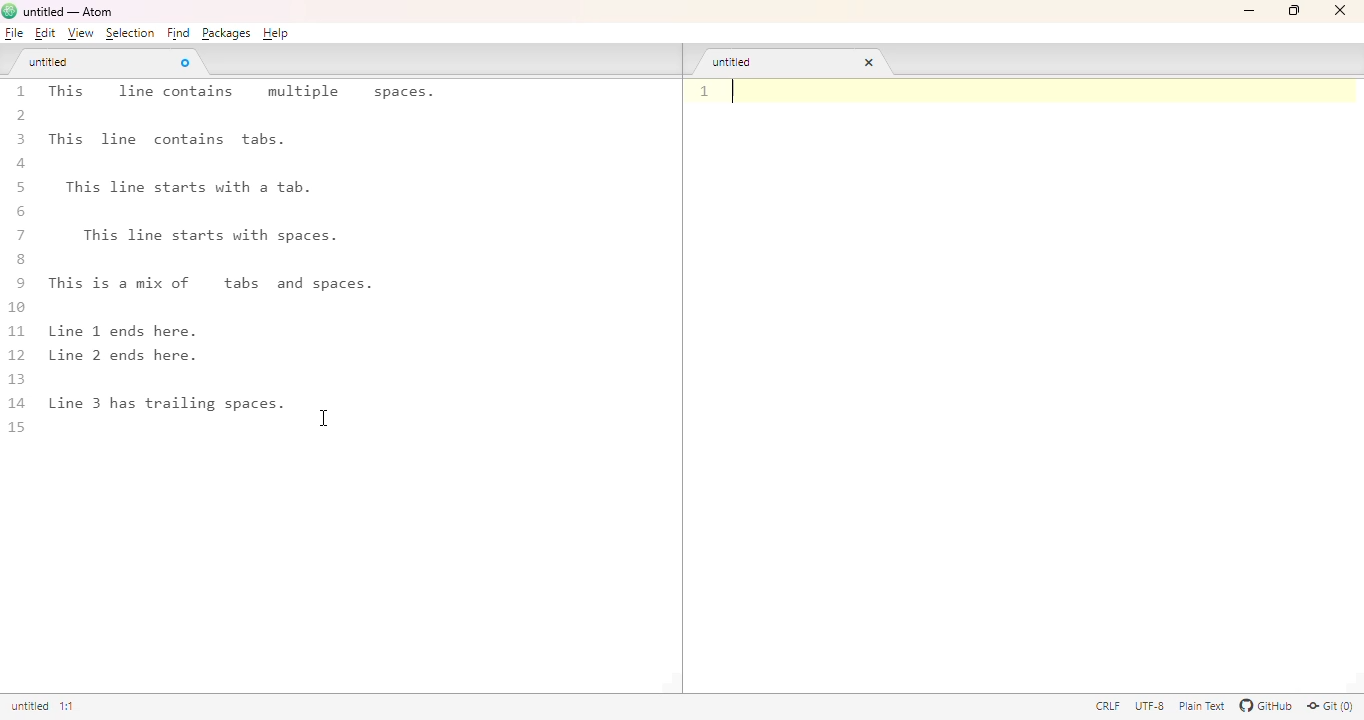 The width and height of the screenshot is (1364, 720). I want to click on CRLF, so click(1106, 705).